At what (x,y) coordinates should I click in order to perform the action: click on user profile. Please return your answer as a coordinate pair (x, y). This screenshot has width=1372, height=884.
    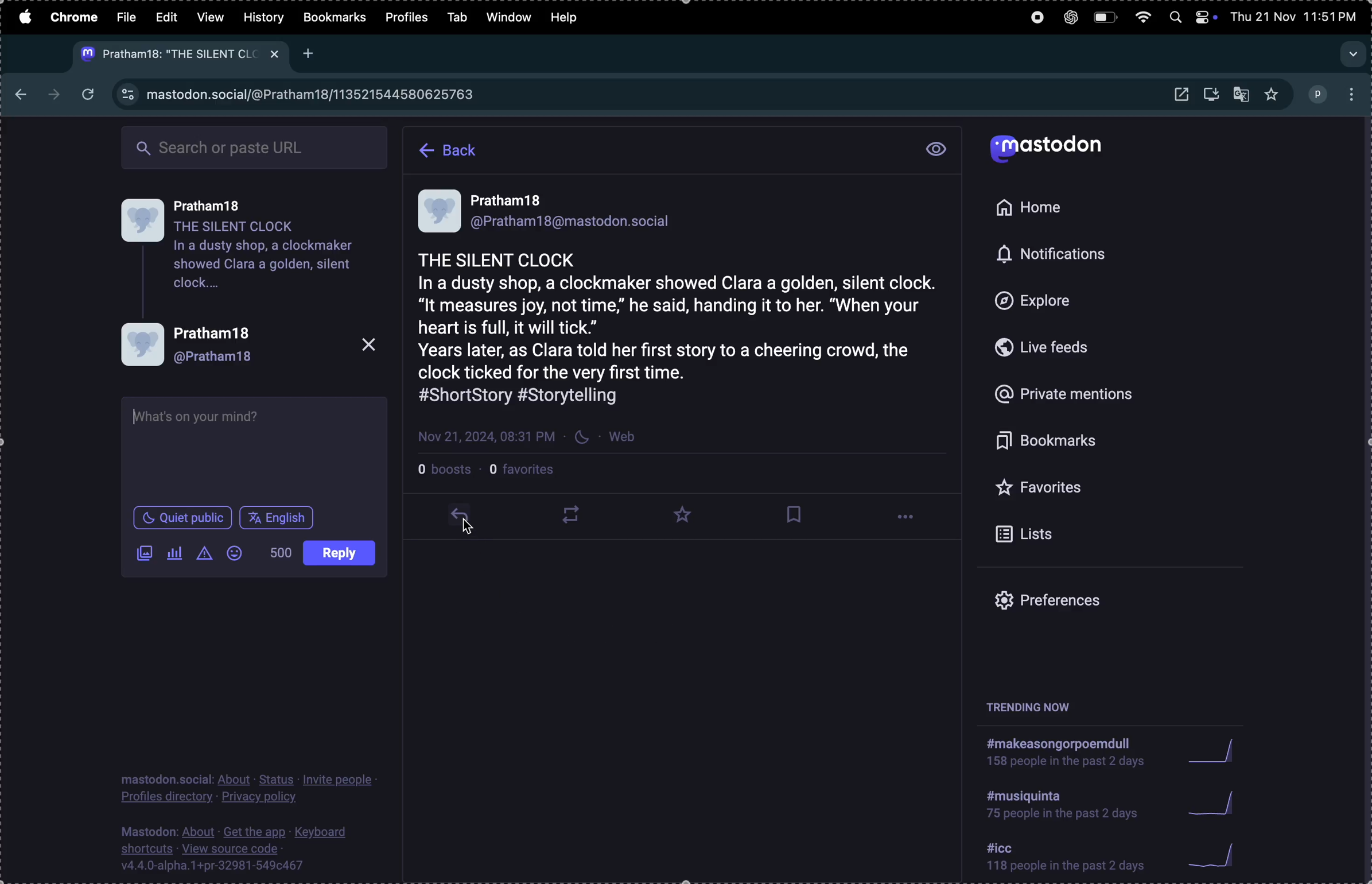
    Looking at the image, I should click on (256, 254).